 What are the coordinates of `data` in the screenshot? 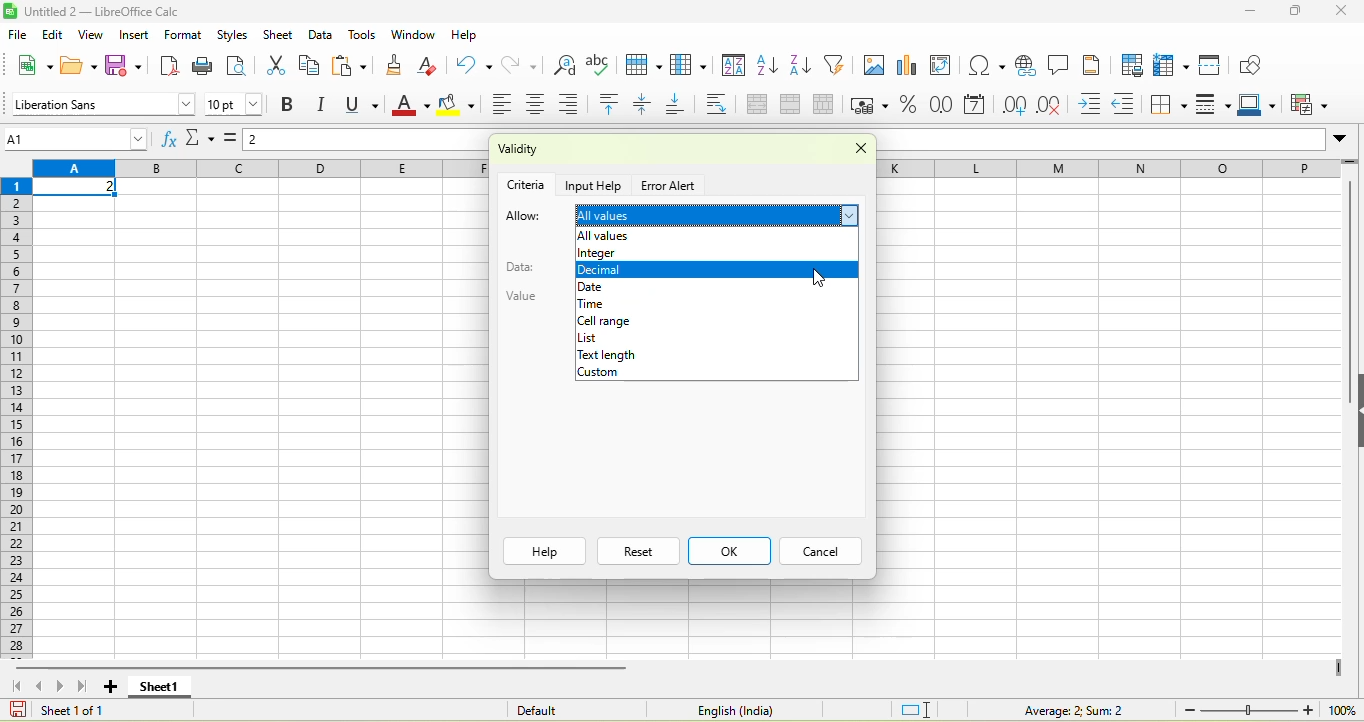 It's located at (321, 34).